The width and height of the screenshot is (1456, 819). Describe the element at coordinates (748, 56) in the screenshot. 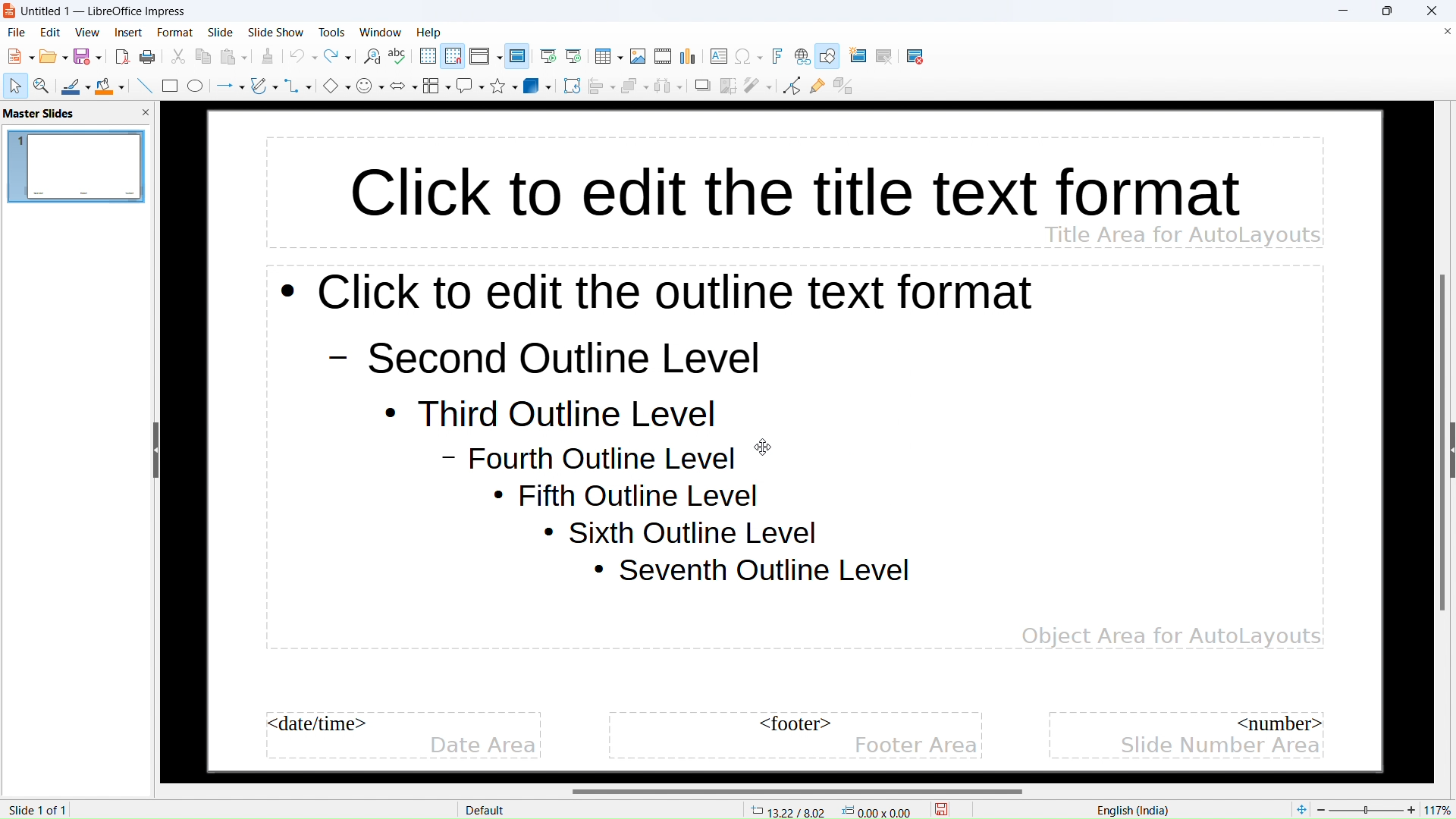

I see `insert special character` at that location.